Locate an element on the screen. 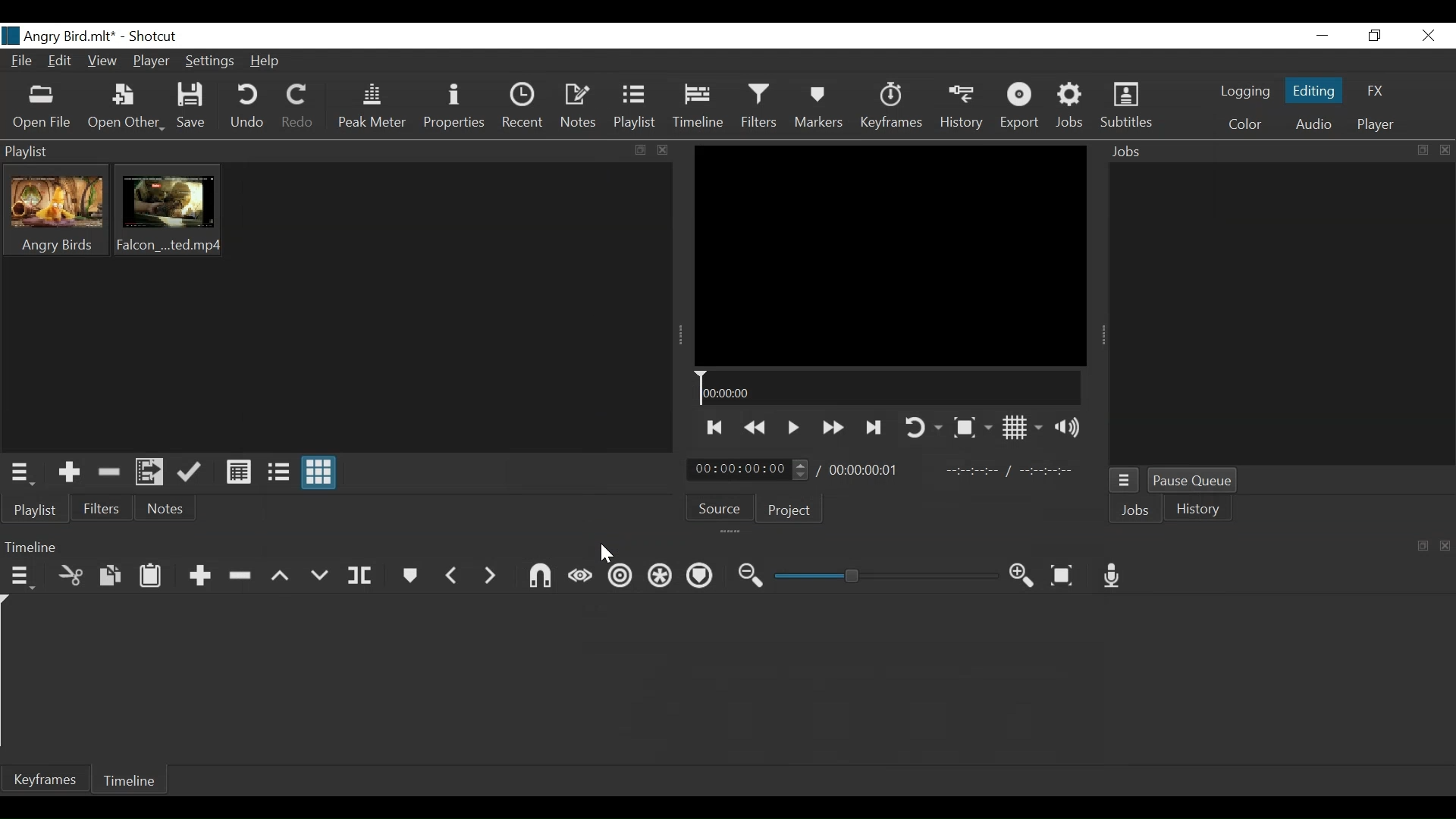 The image size is (1456, 819). Notes is located at coordinates (577, 108).